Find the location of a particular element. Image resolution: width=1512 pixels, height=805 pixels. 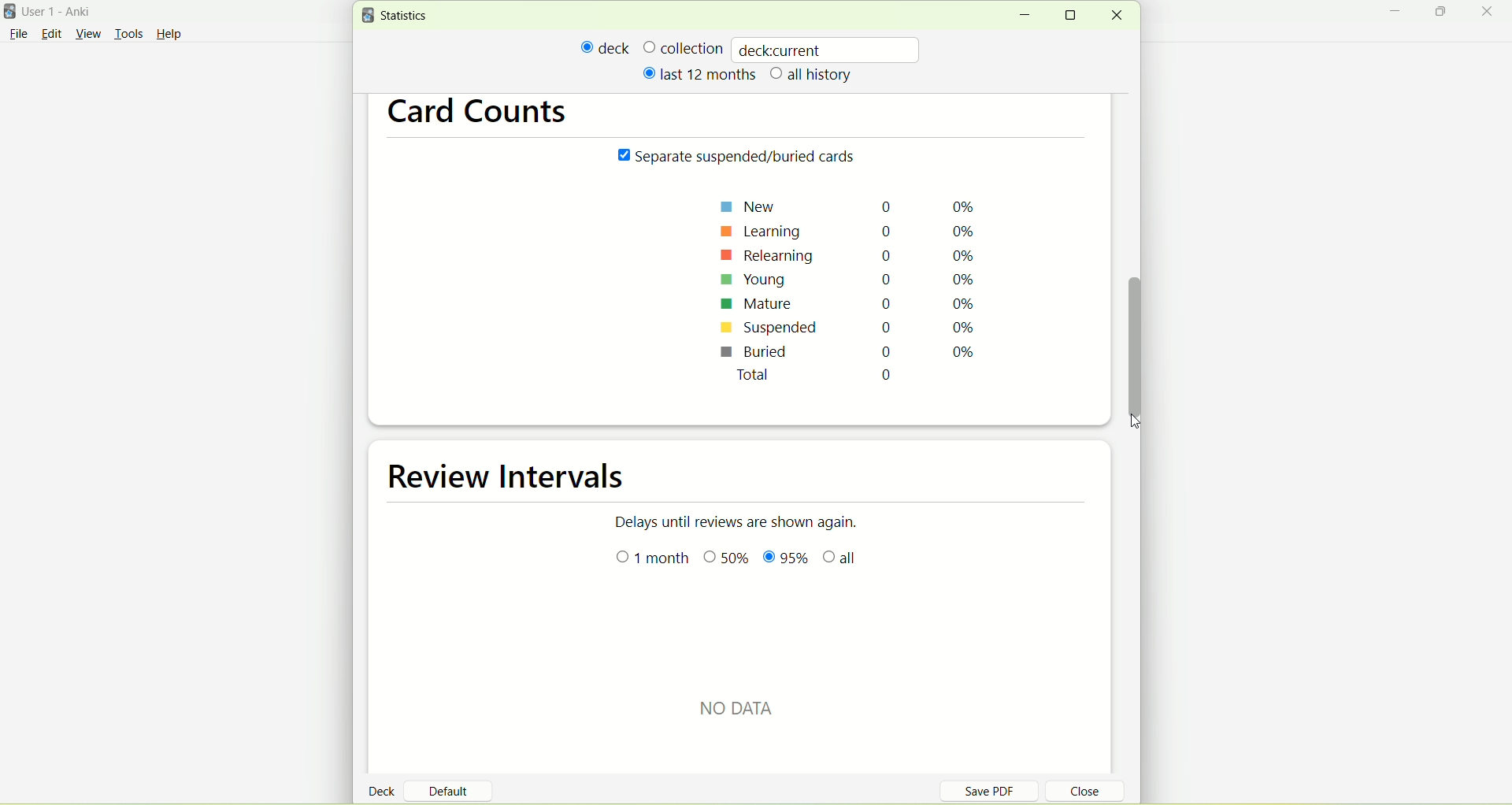

close is located at coordinates (1116, 16).